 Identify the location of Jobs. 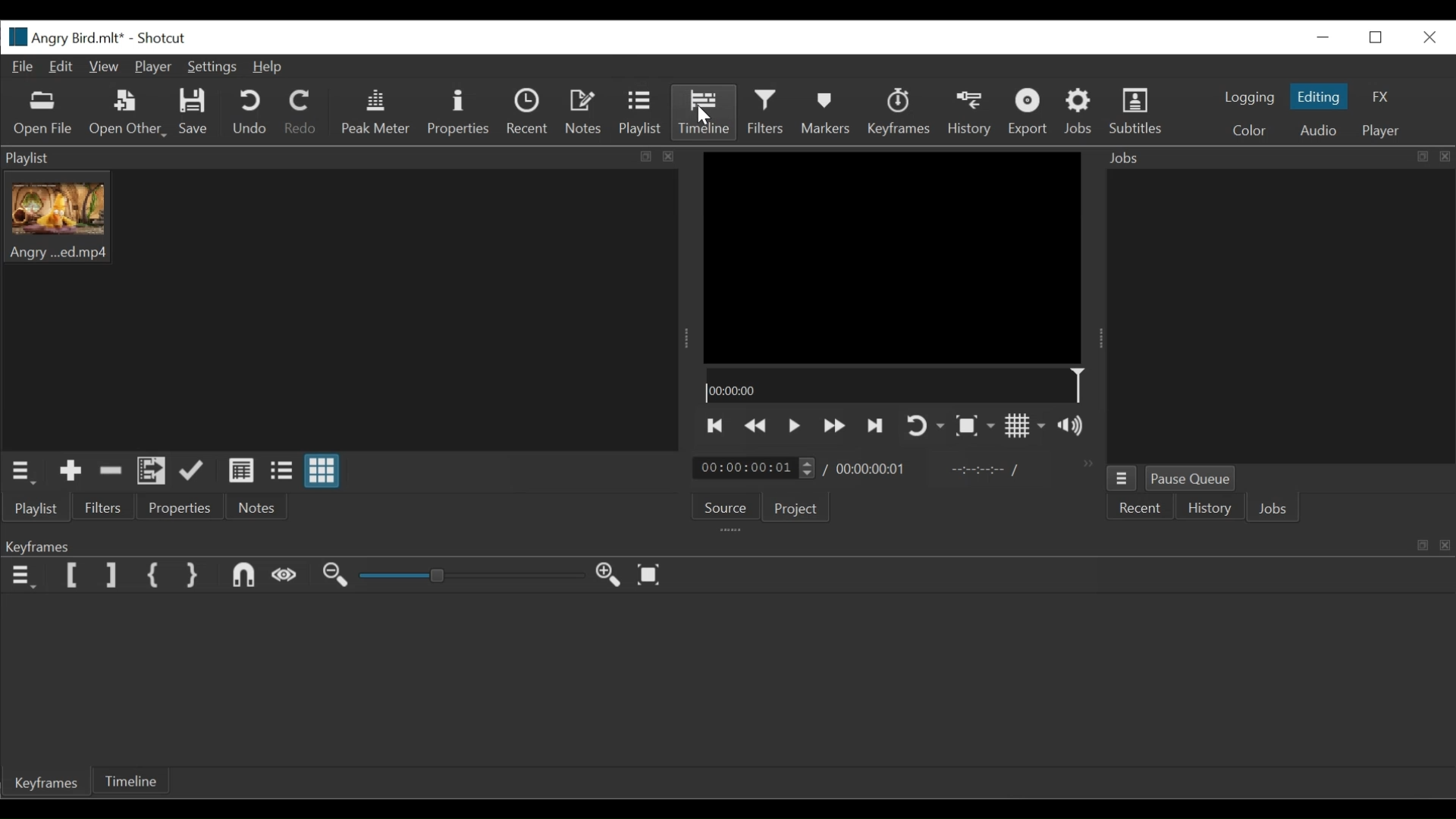
(1081, 111).